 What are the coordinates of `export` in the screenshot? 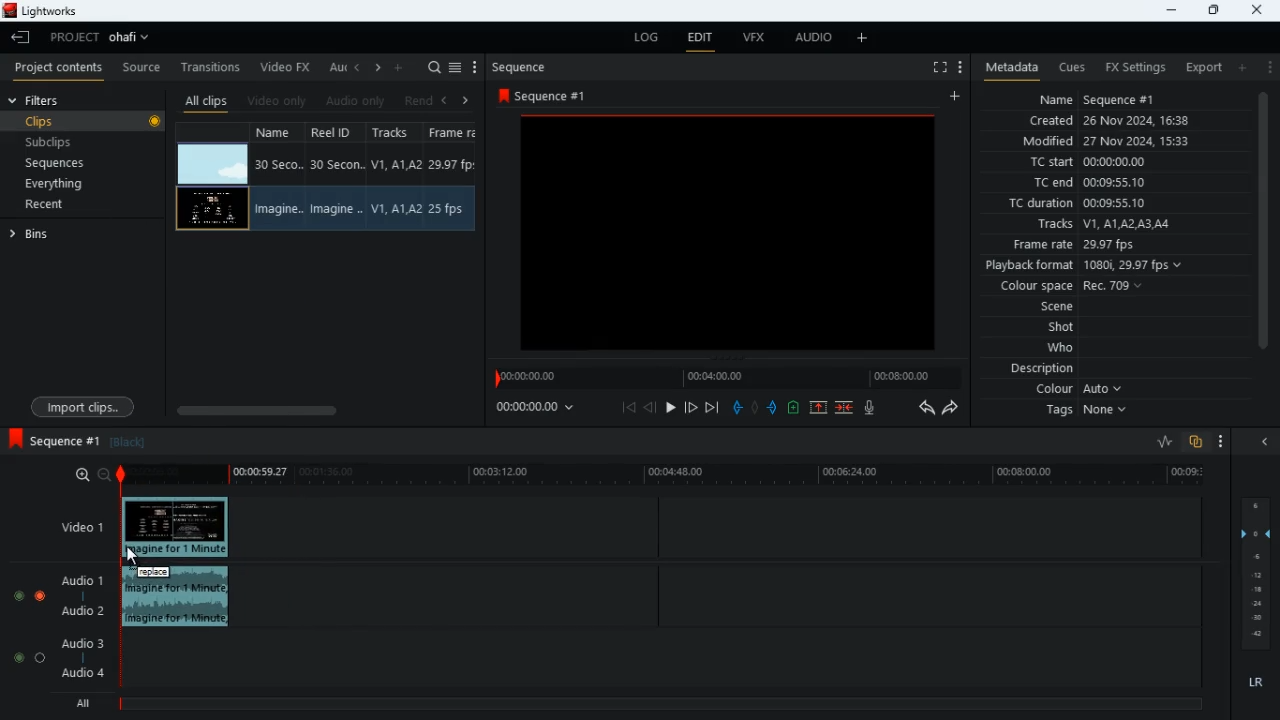 It's located at (1200, 67).